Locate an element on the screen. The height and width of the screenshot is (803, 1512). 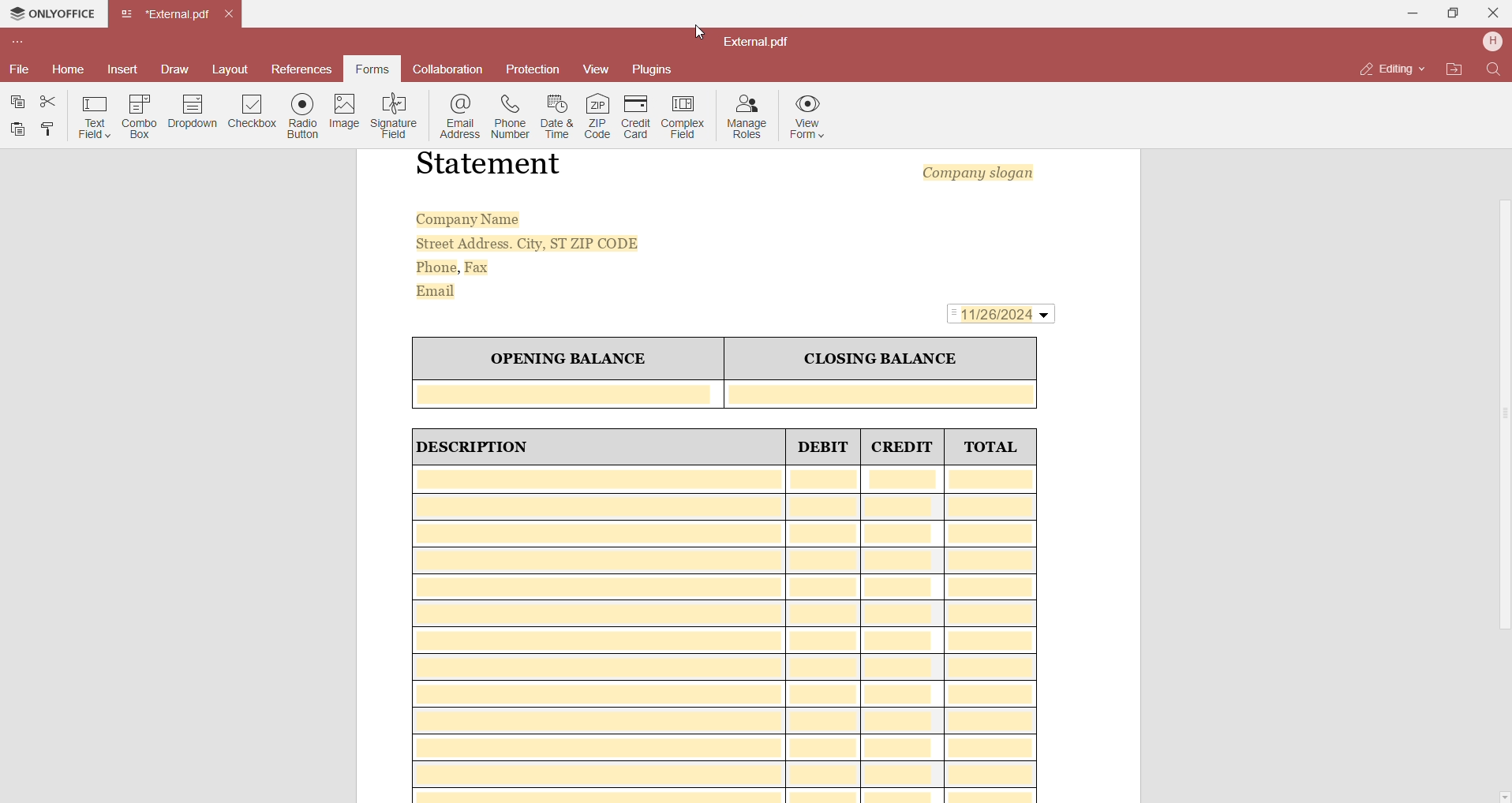
References is located at coordinates (304, 69).